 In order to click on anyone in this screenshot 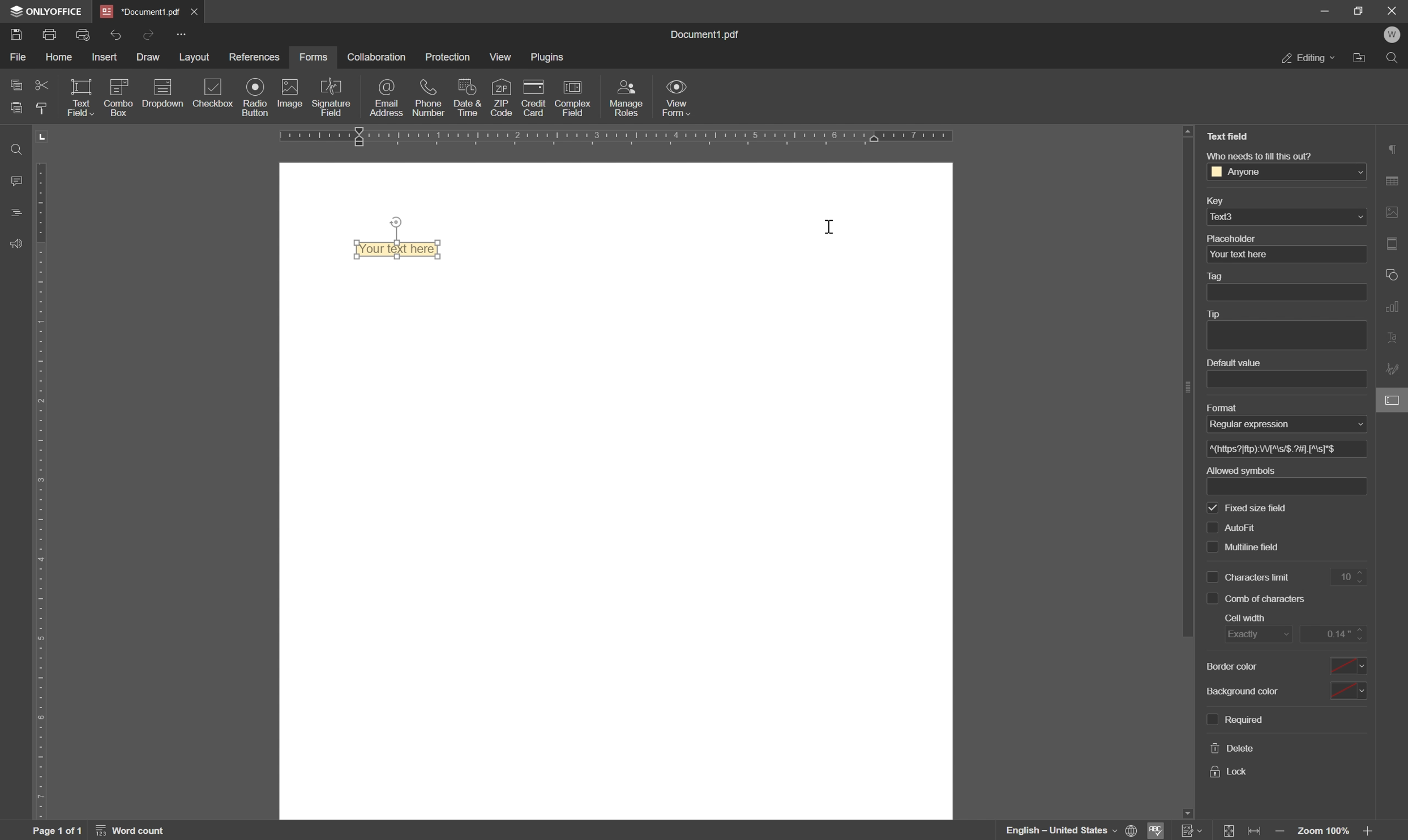, I will do `click(1243, 172)`.